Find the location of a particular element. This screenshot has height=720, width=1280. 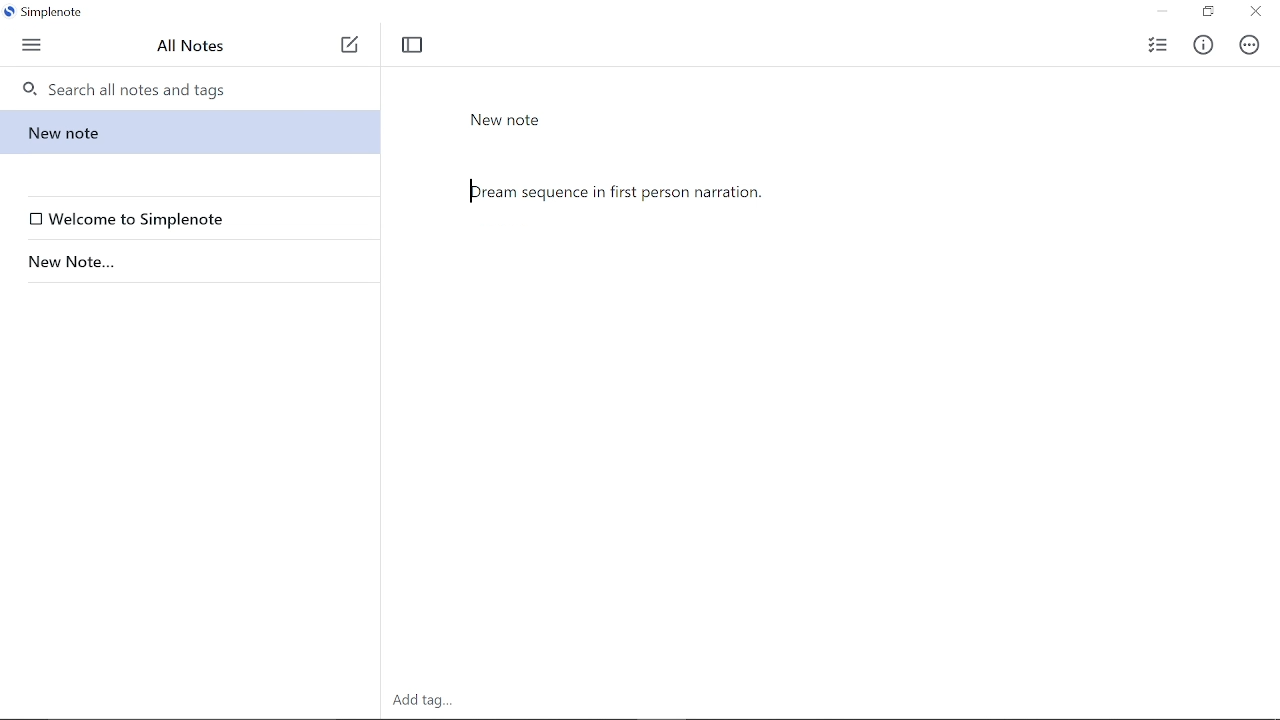

Minimize is located at coordinates (1162, 12).